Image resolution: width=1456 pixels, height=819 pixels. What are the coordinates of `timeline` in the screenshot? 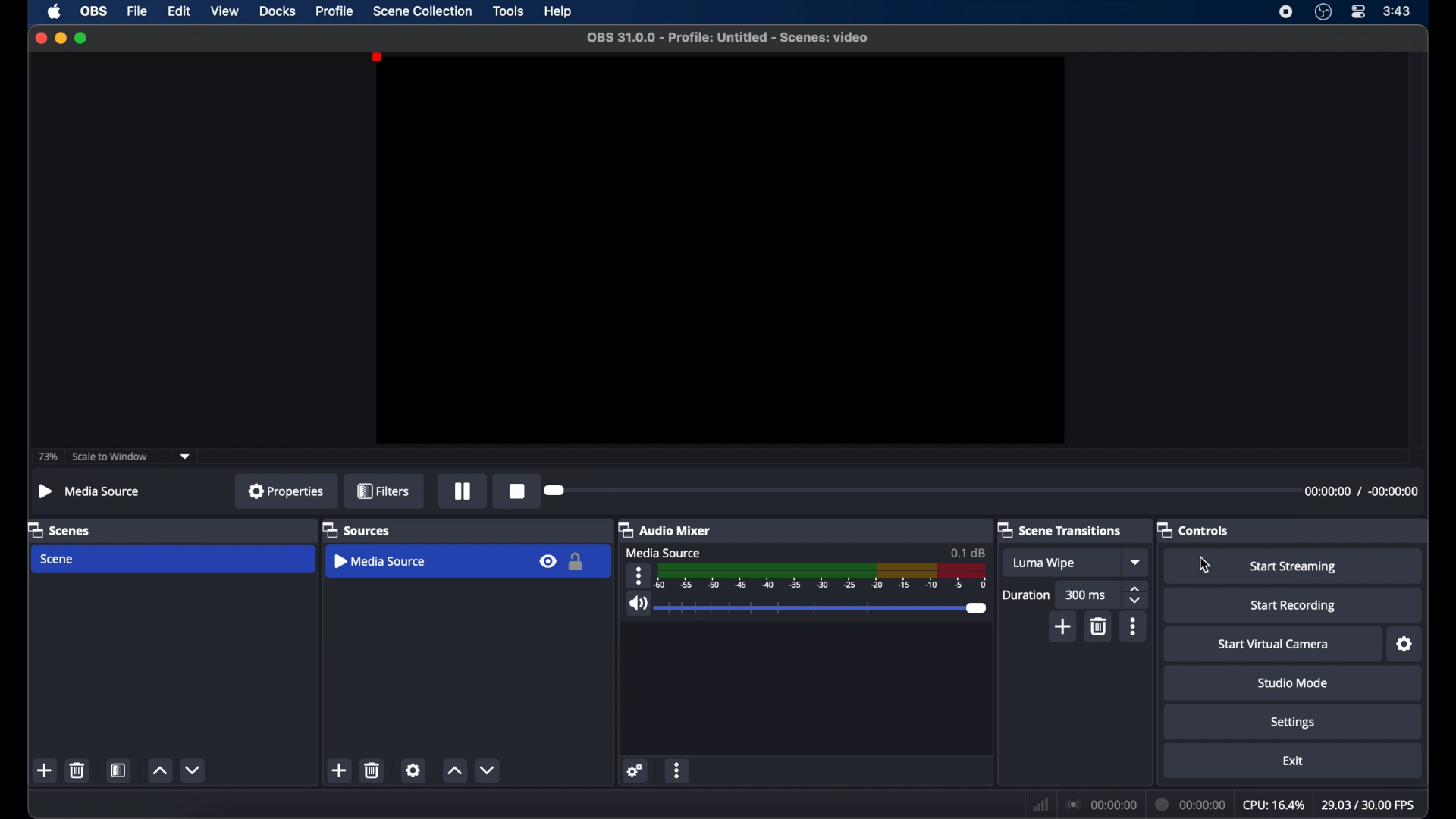 It's located at (823, 577).